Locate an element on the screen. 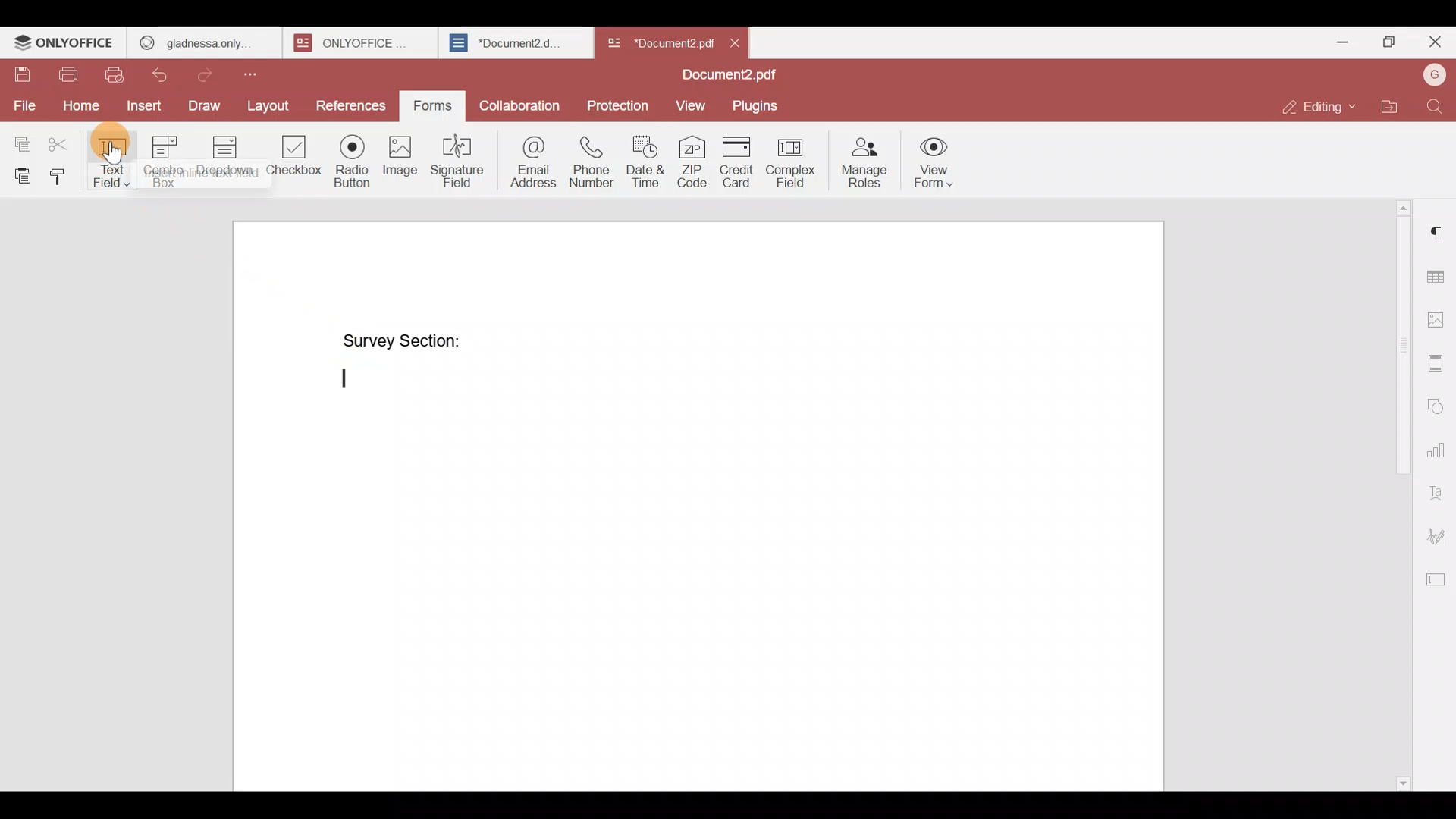  ONLYOFFICE is located at coordinates (64, 42).